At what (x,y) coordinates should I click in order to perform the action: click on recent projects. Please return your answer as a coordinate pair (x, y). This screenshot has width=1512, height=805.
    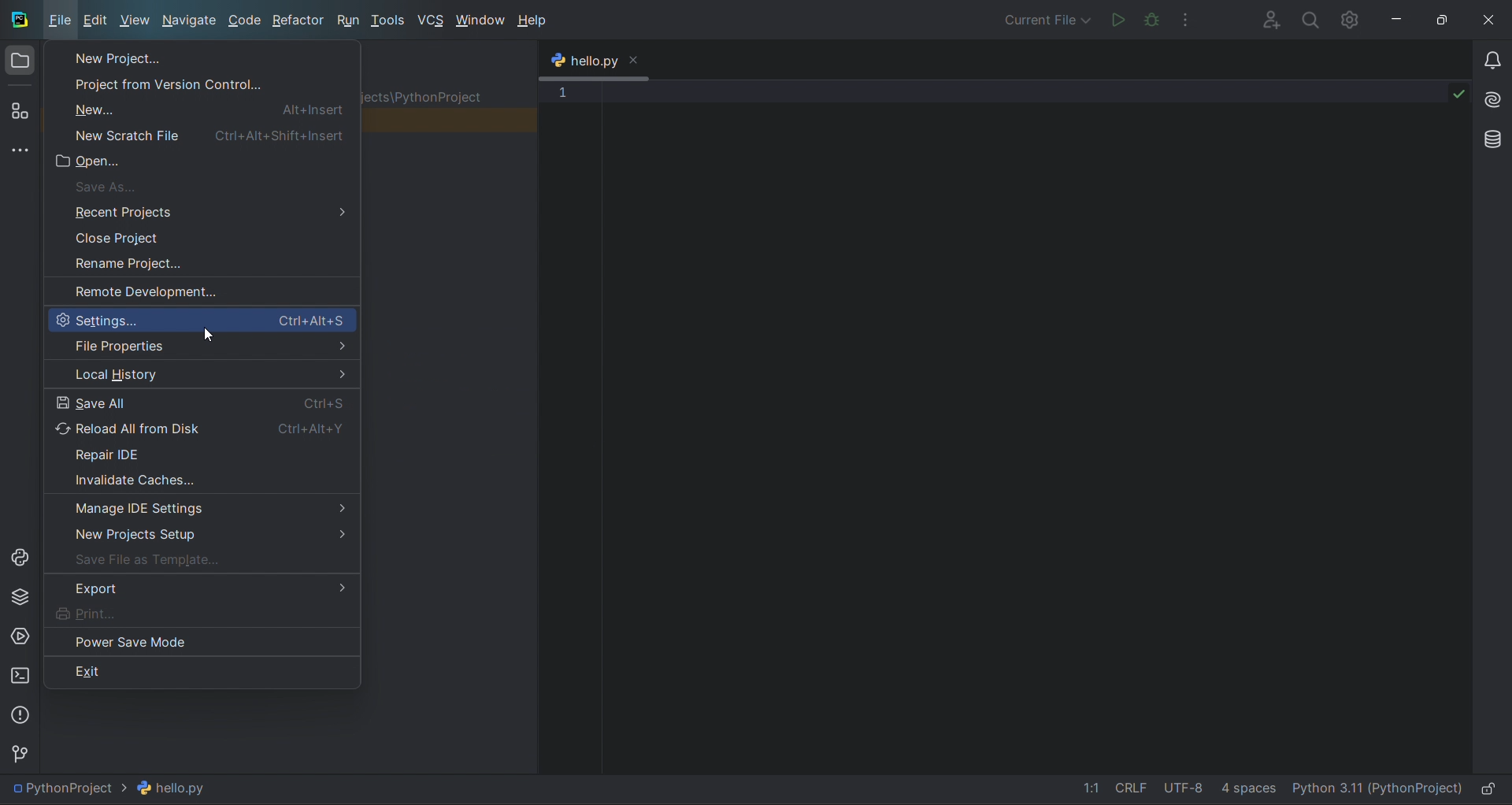
    Looking at the image, I should click on (198, 210).